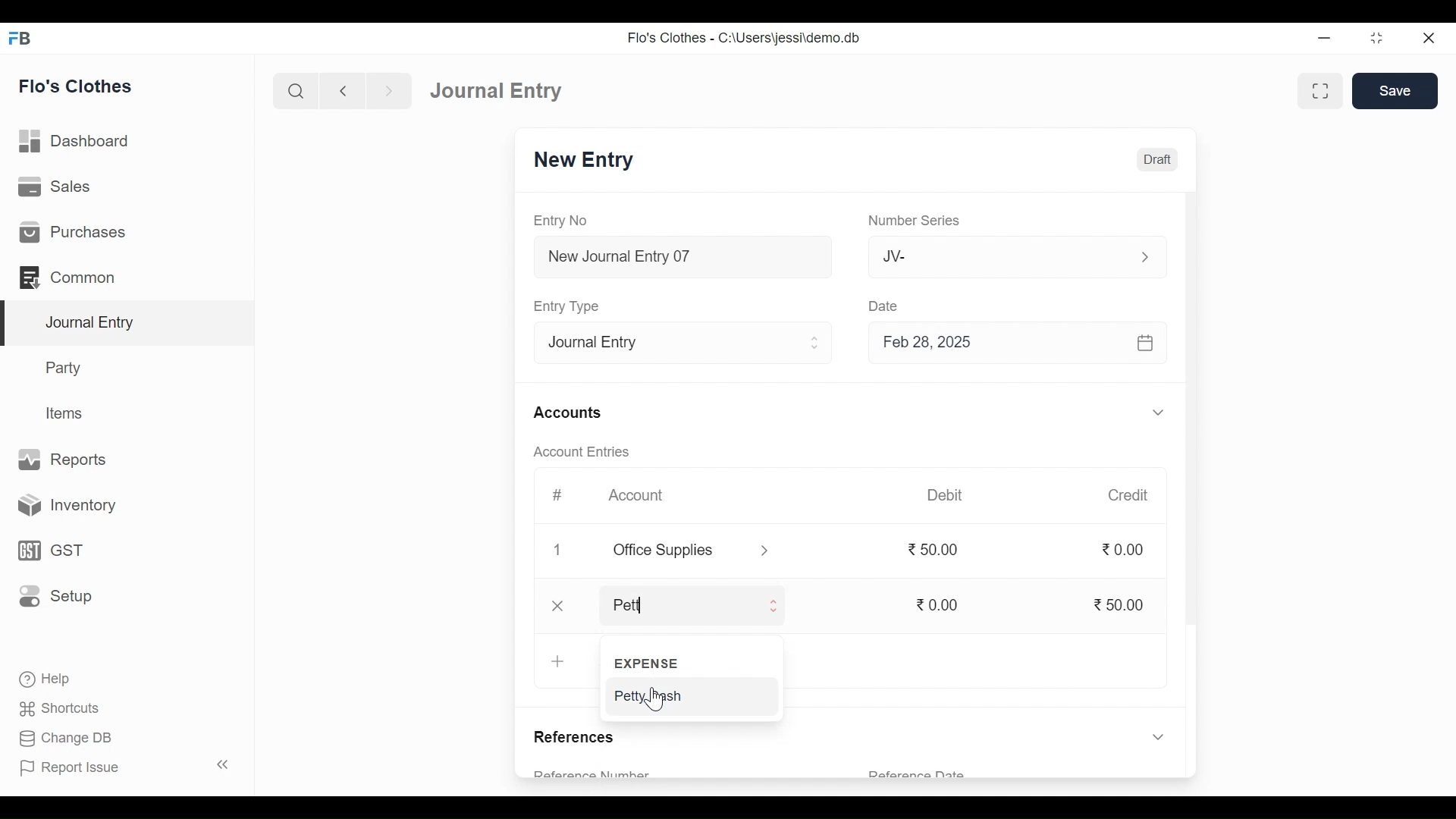 The height and width of the screenshot is (819, 1456). Describe the element at coordinates (557, 547) in the screenshot. I see `1` at that location.